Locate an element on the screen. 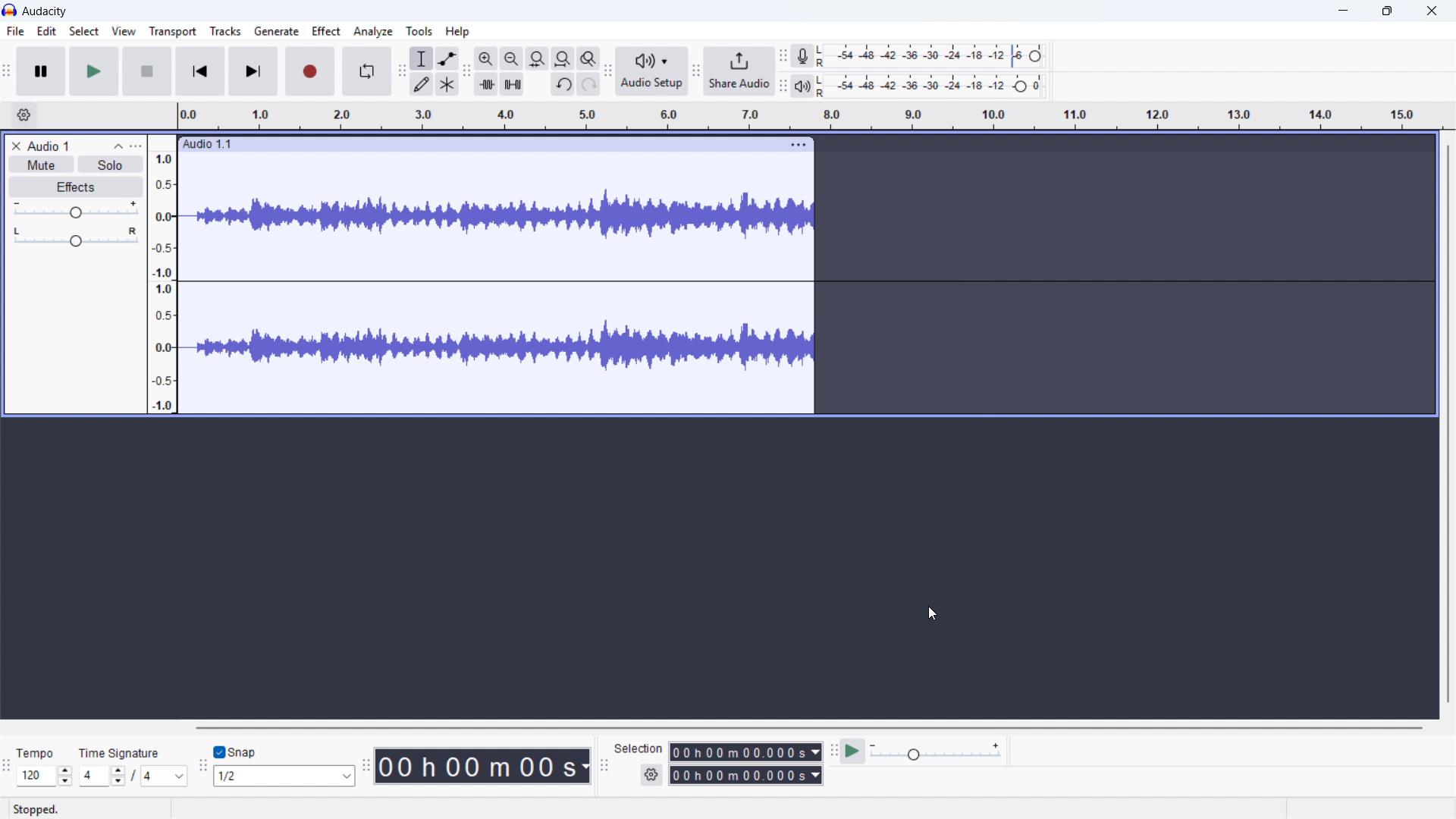 The width and height of the screenshot is (1456, 819). Play at speed is located at coordinates (852, 751).